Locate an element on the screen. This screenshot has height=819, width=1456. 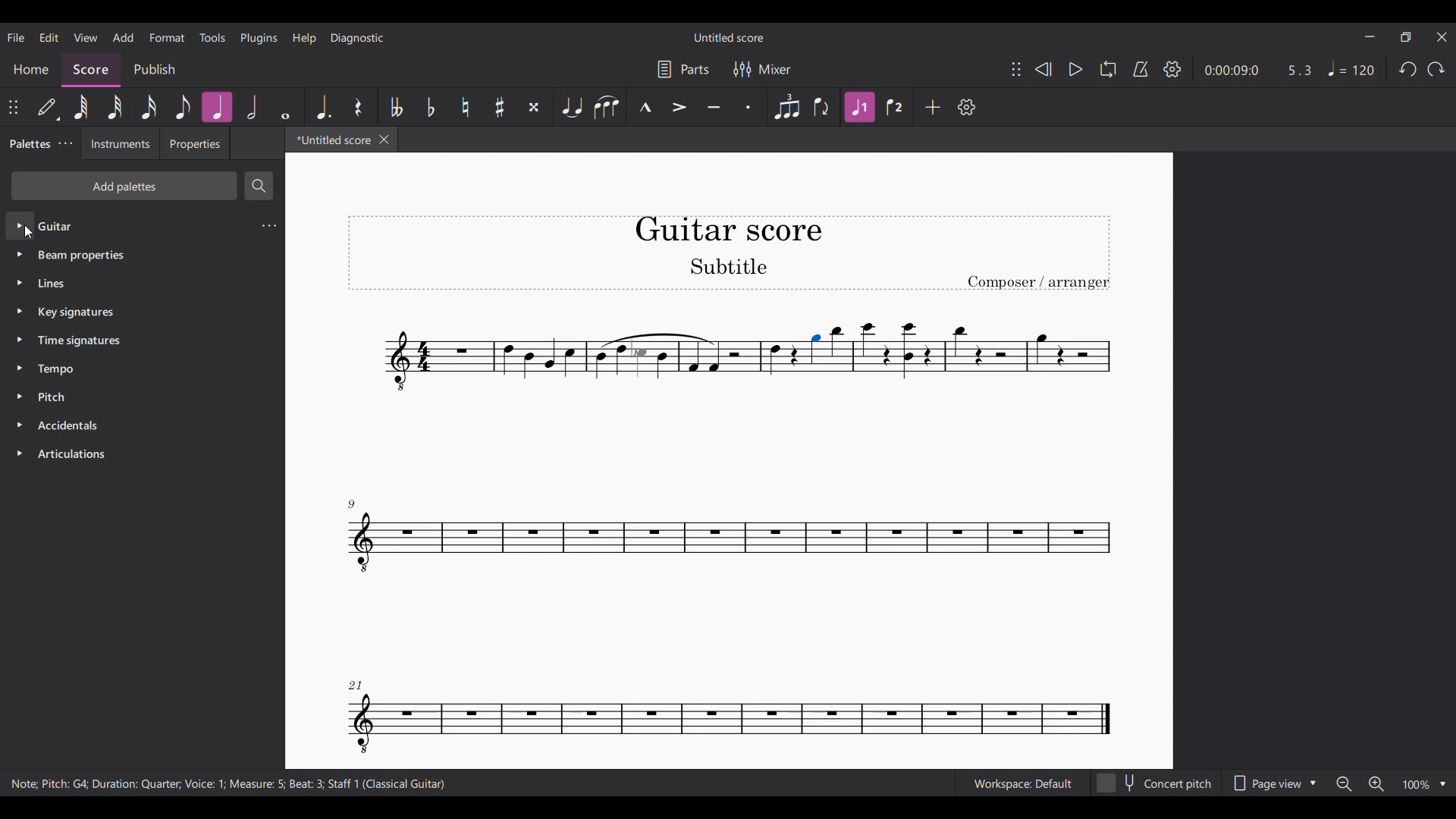
Click to expand beam properties palette is located at coordinates (19, 254).